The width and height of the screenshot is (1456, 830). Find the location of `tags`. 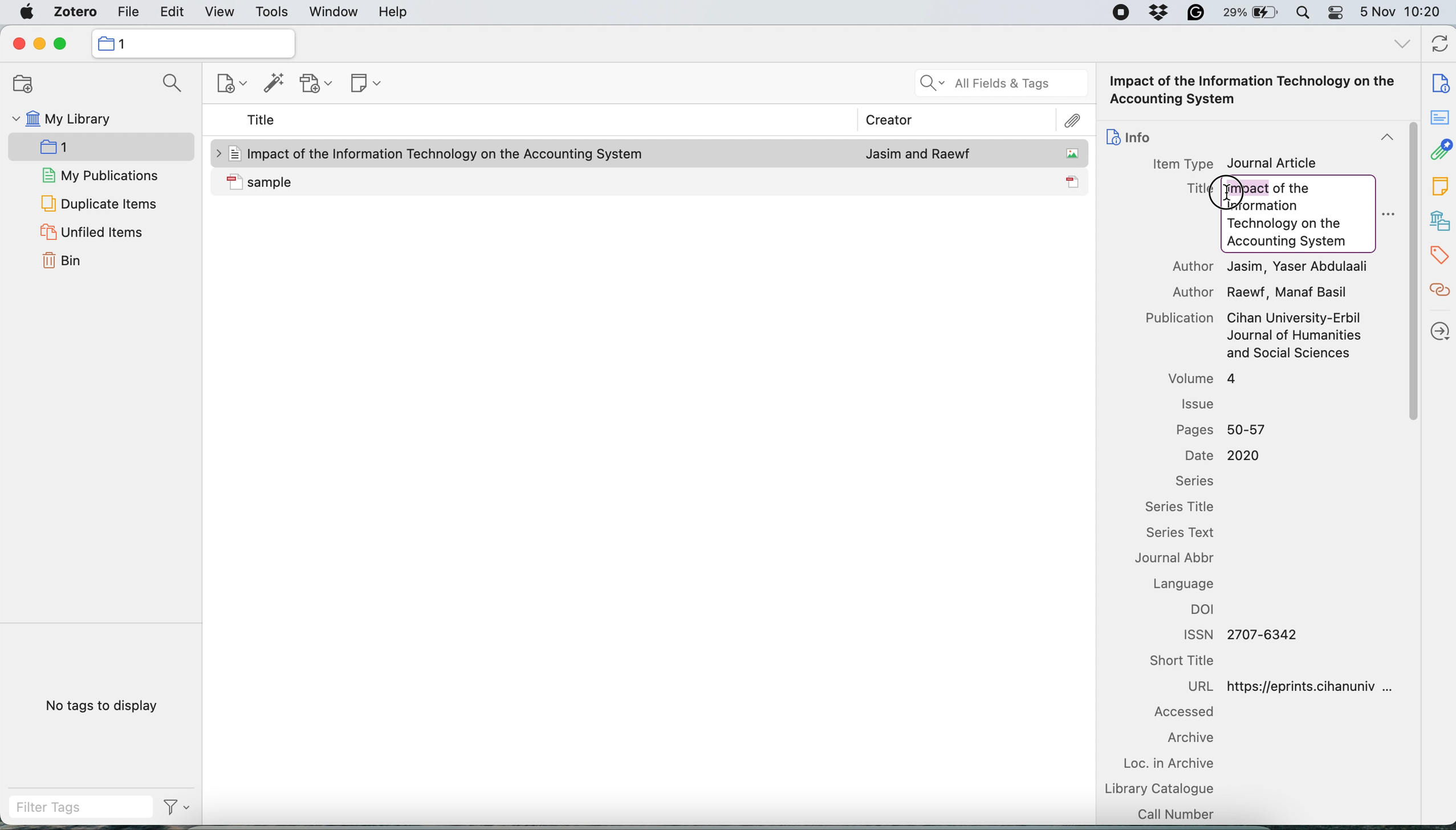

tags is located at coordinates (1439, 257).